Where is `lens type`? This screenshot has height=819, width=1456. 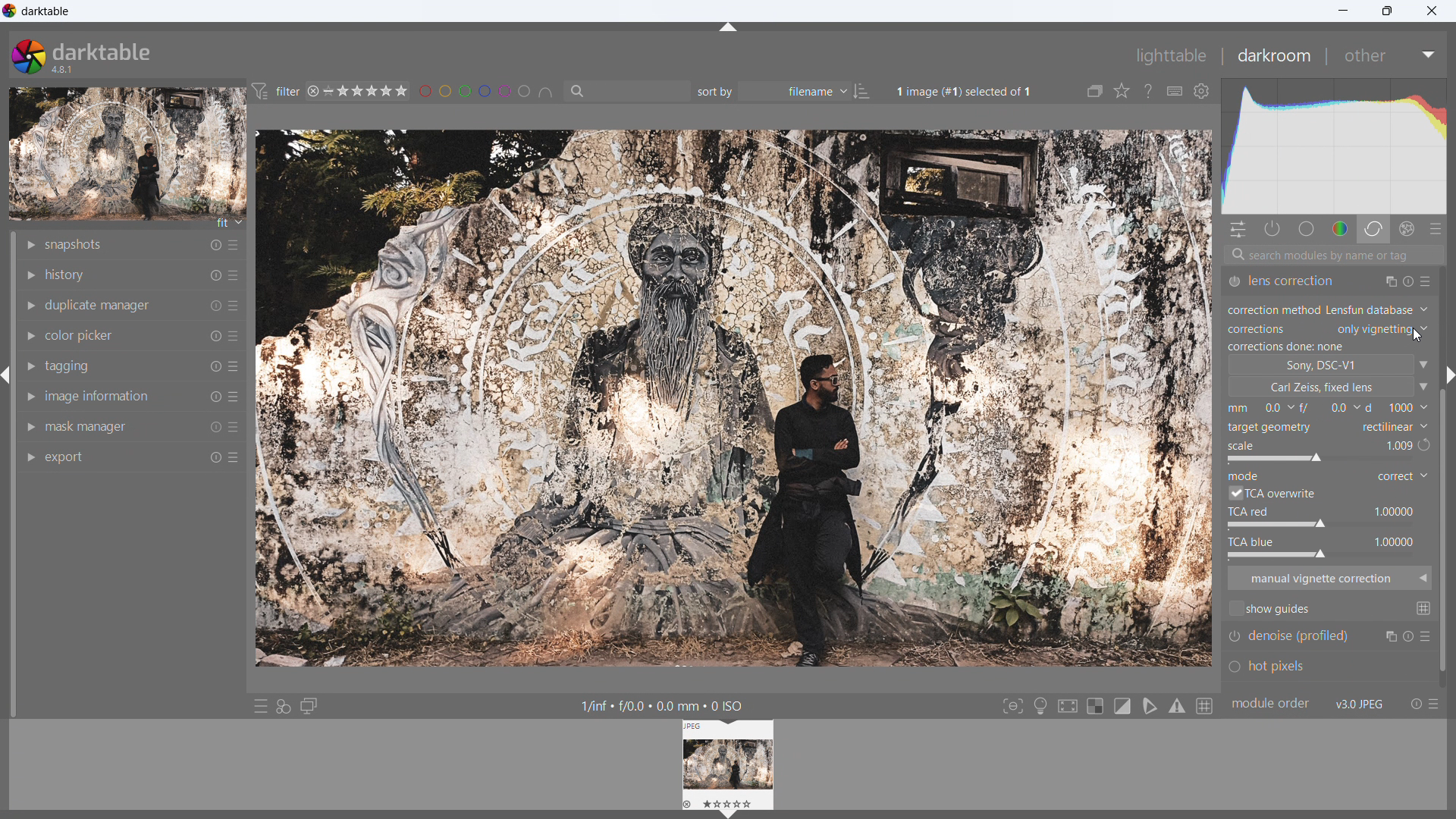 lens type is located at coordinates (1330, 387).